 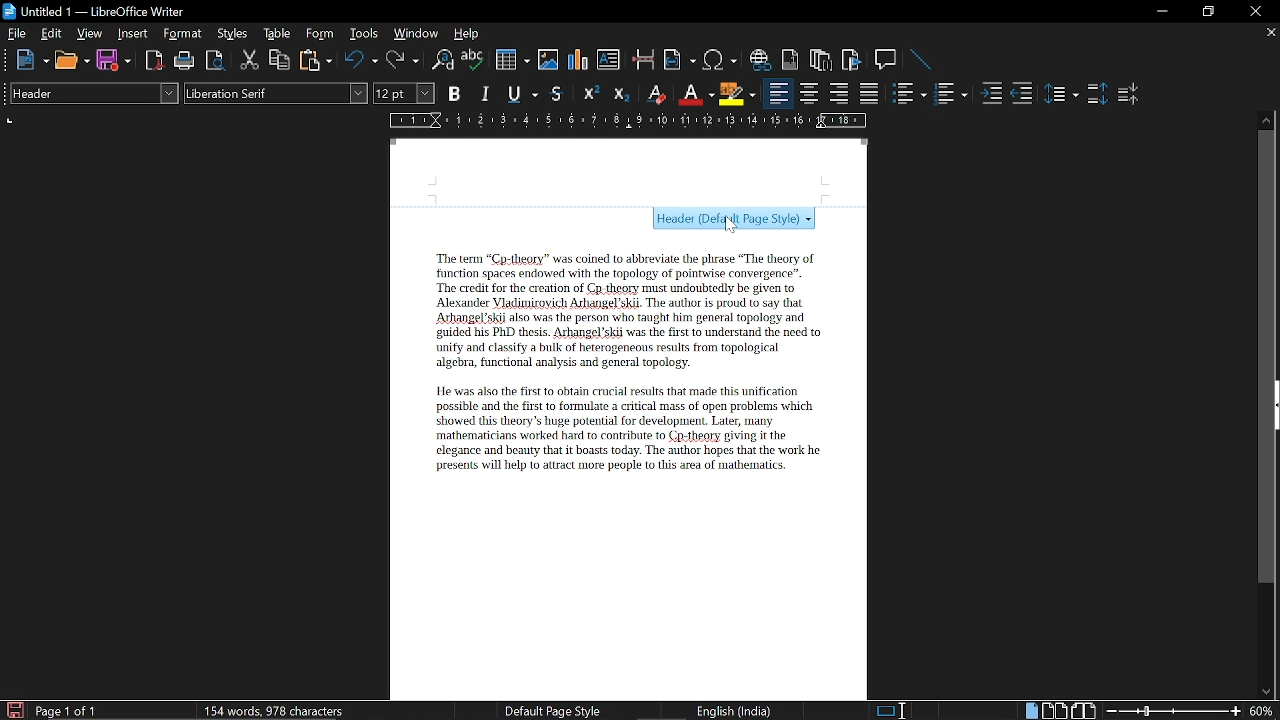 What do you see at coordinates (695, 94) in the screenshot?
I see `Underline` at bounding box center [695, 94].